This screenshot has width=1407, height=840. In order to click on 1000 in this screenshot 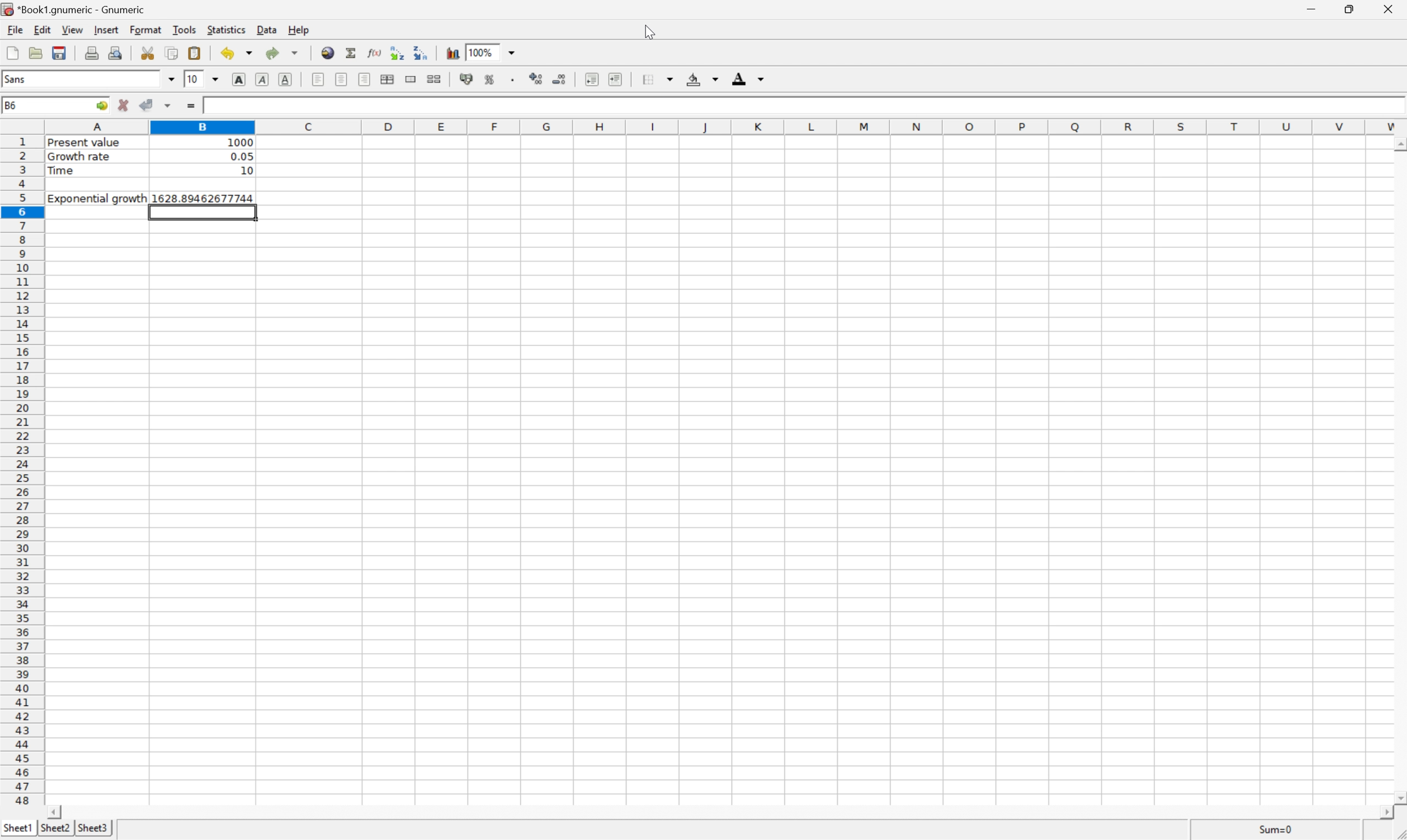, I will do `click(236, 142)`.